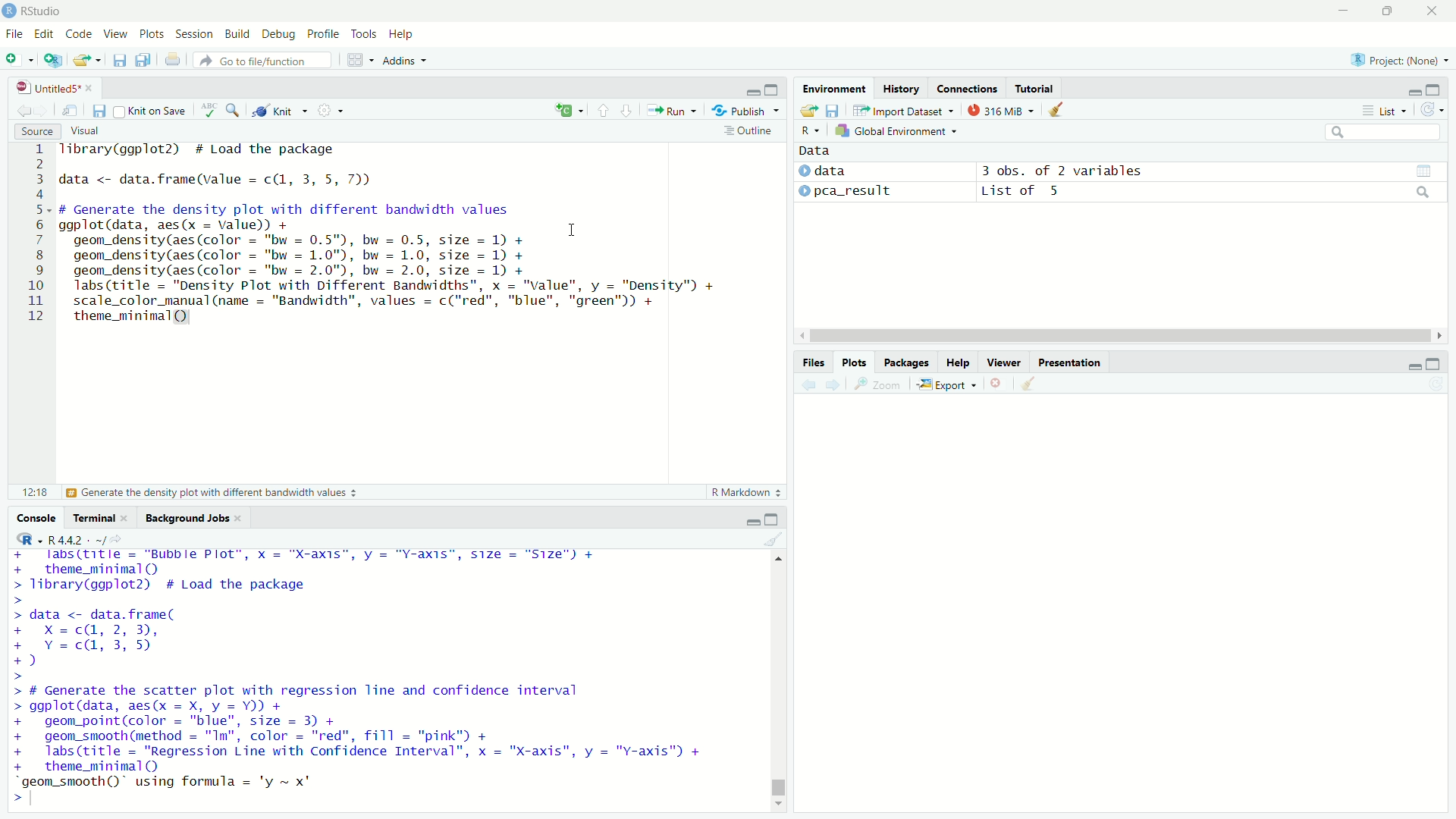 The image size is (1456, 819). What do you see at coordinates (48, 87) in the screenshot?
I see `Untitled5*` at bounding box center [48, 87].